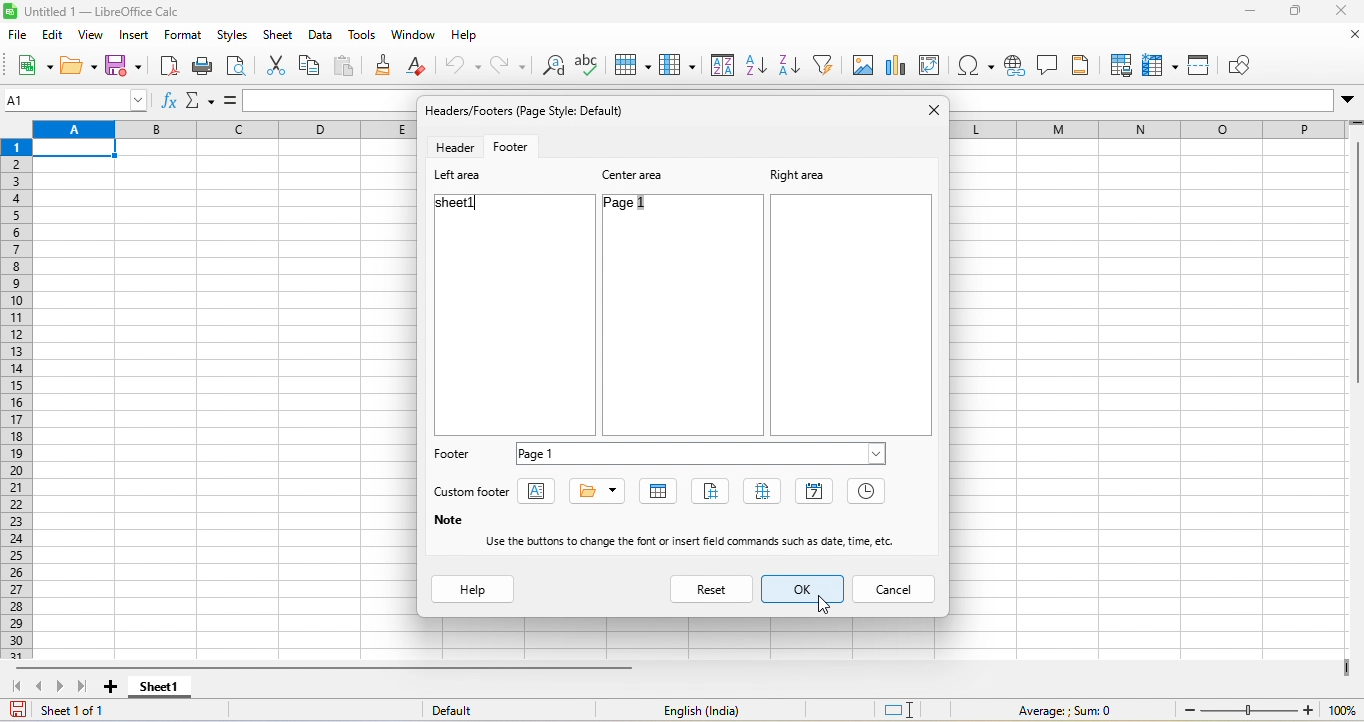 The image size is (1364, 722). What do you see at coordinates (233, 38) in the screenshot?
I see `styles` at bounding box center [233, 38].